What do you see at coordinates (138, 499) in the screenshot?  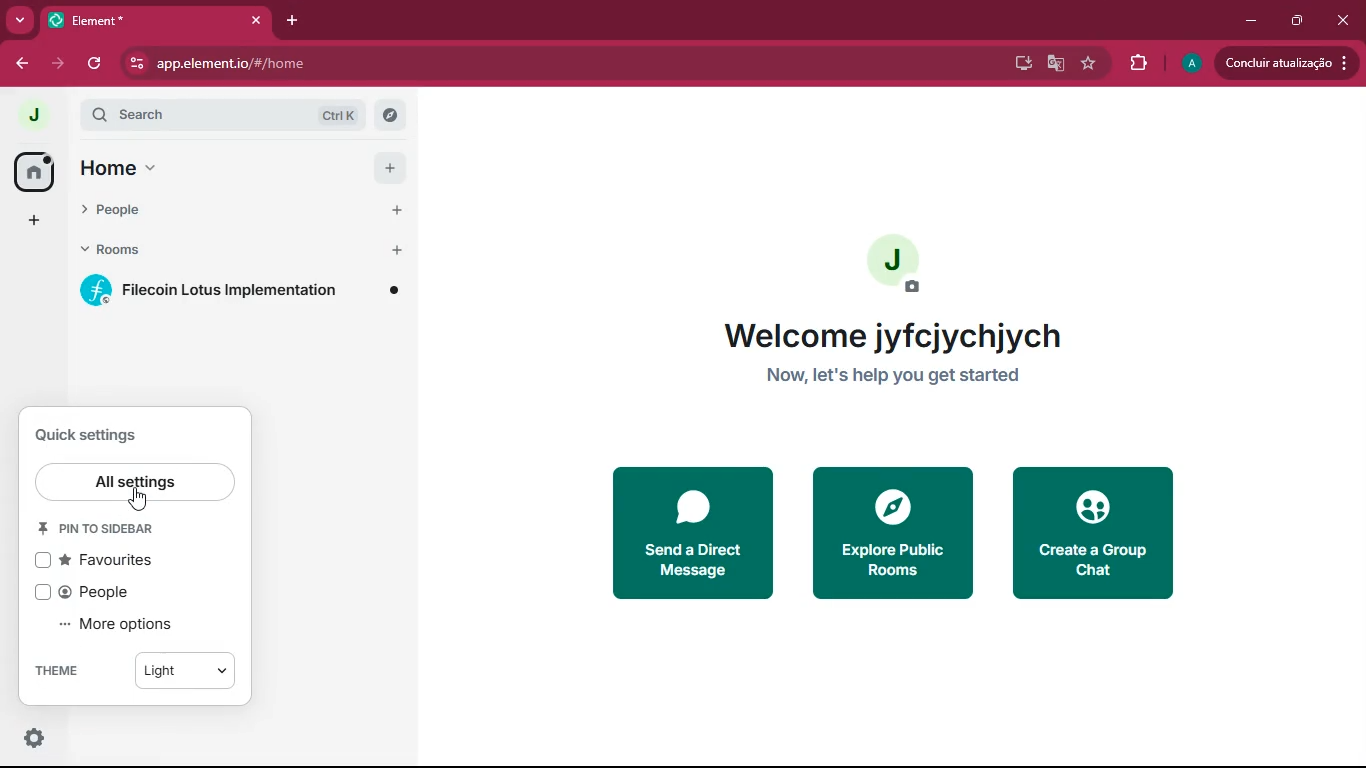 I see `cursor` at bounding box center [138, 499].